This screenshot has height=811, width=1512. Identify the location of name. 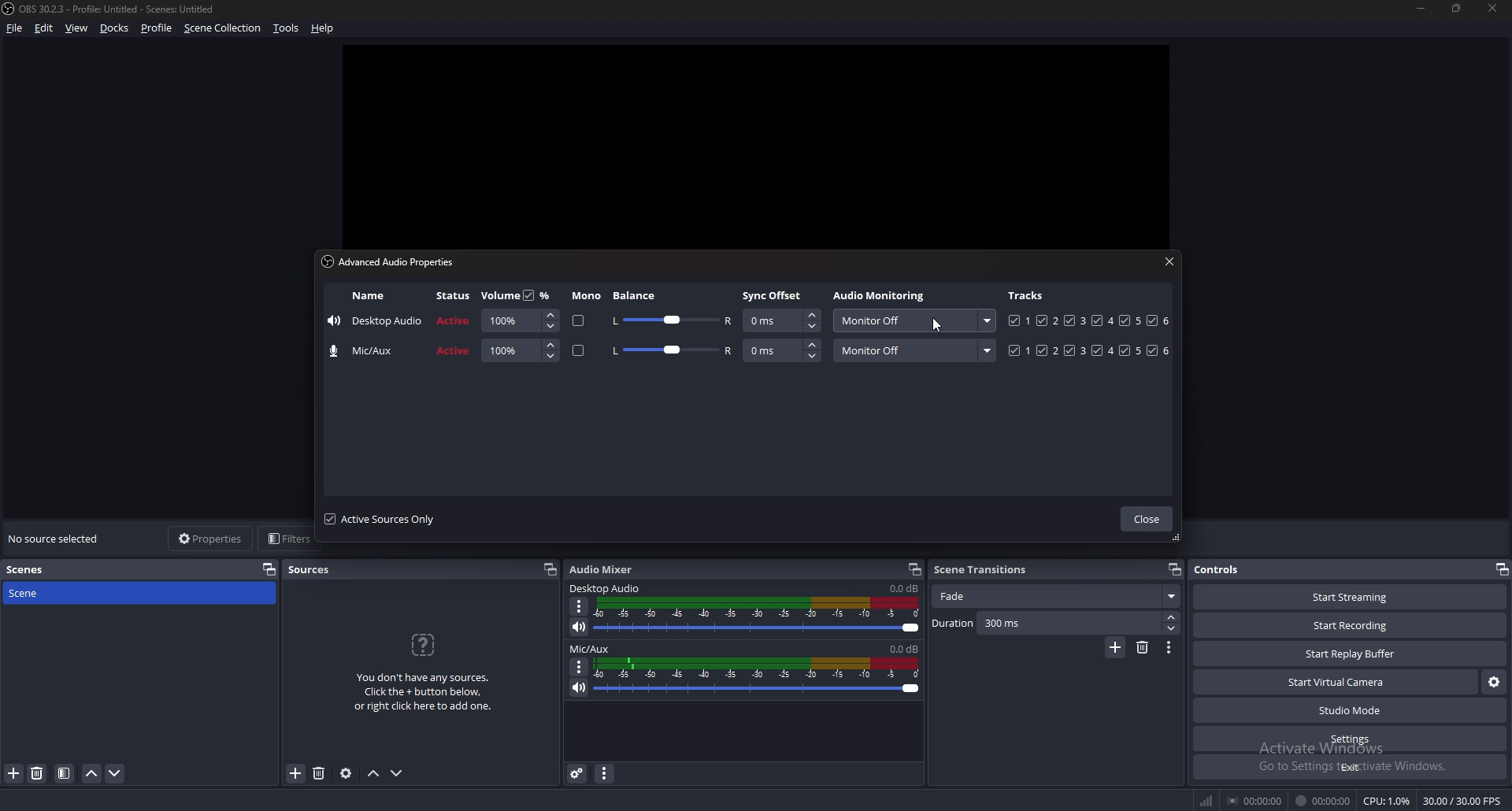
(367, 296).